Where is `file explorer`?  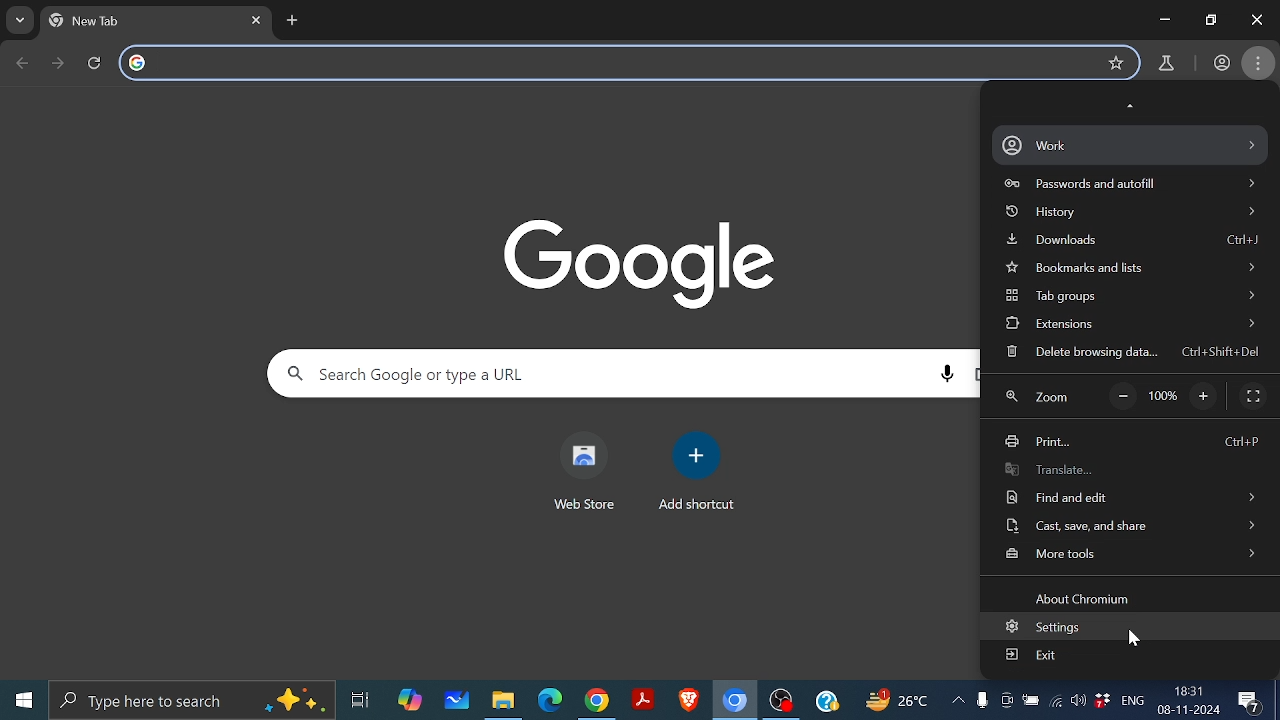 file explorer is located at coordinates (502, 701).